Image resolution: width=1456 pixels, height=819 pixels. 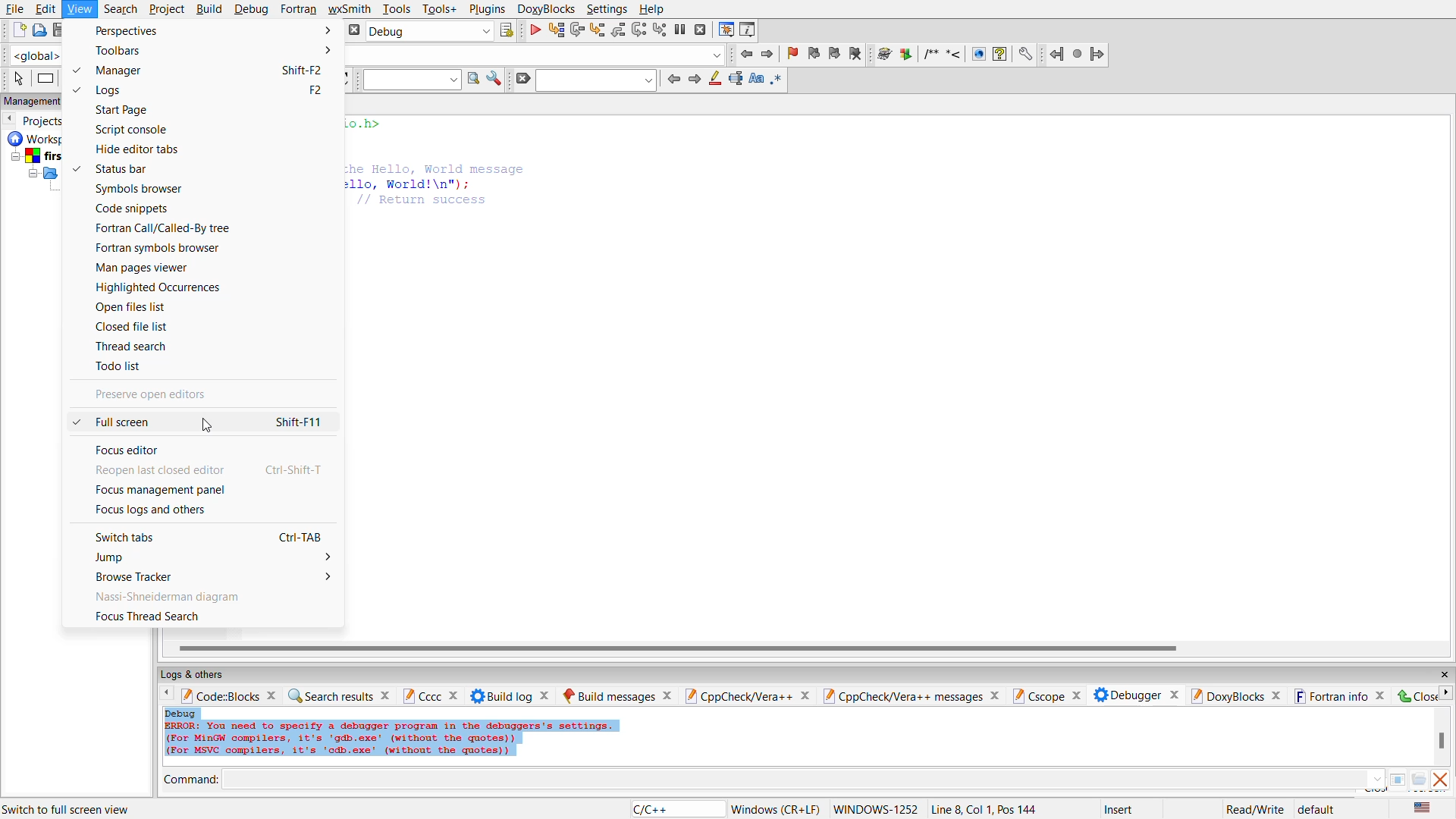 What do you see at coordinates (165, 228) in the screenshot?
I see `fortran call` at bounding box center [165, 228].